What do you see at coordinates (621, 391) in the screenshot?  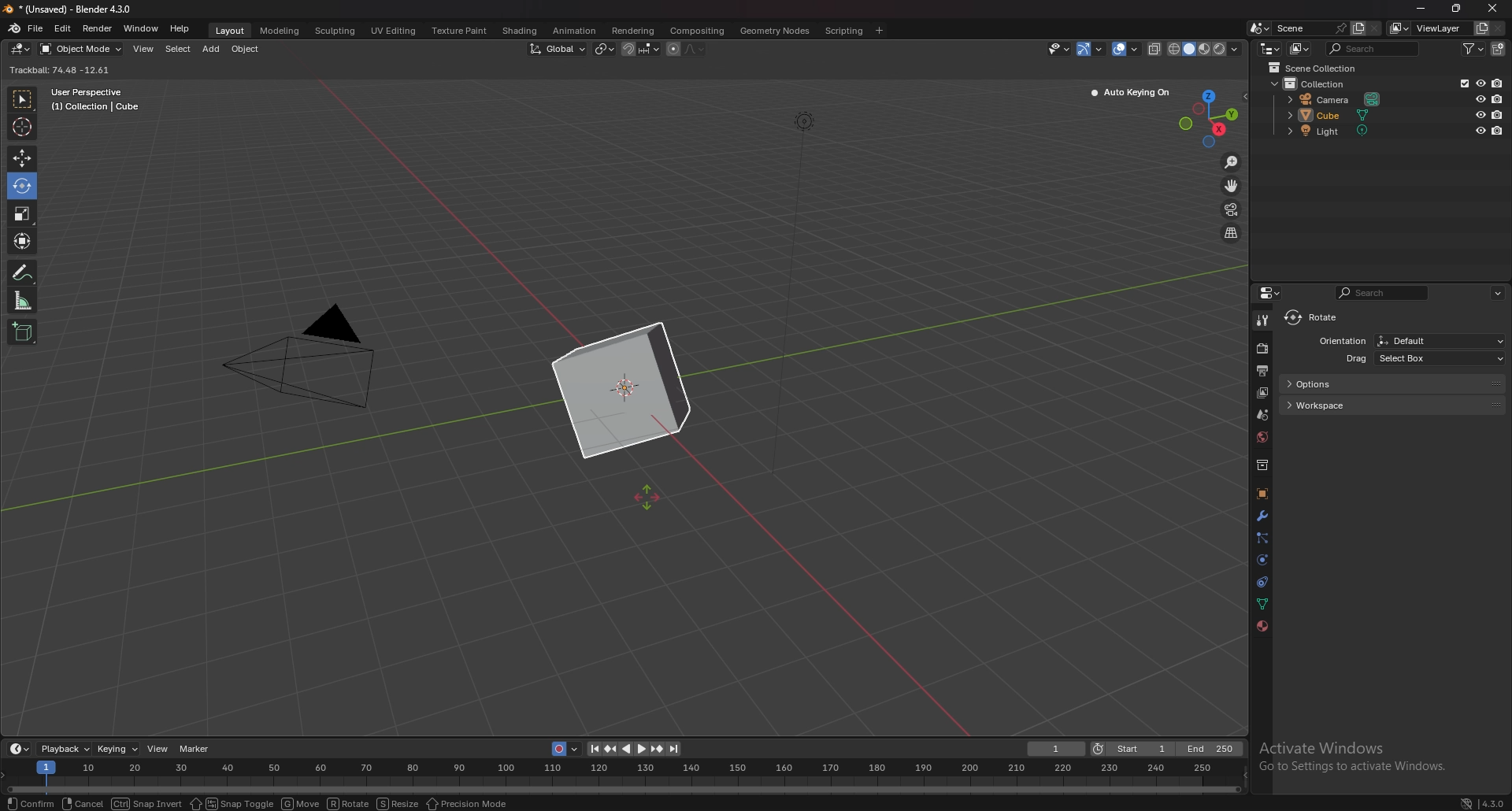 I see `cube` at bounding box center [621, 391].